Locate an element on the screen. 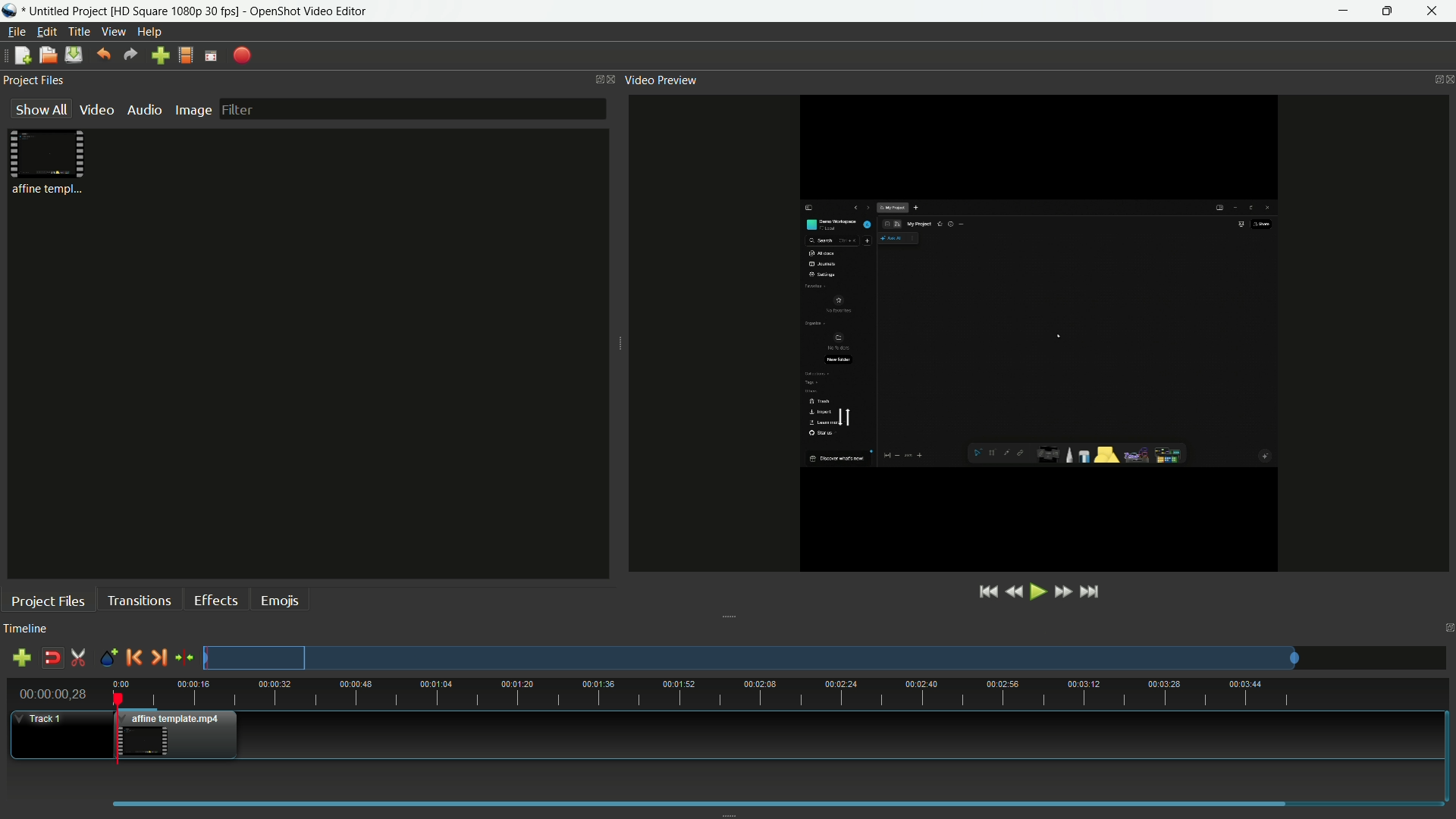 Image resolution: width=1456 pixels, height=819 pixels. show all is located at coordinates (38, 110).